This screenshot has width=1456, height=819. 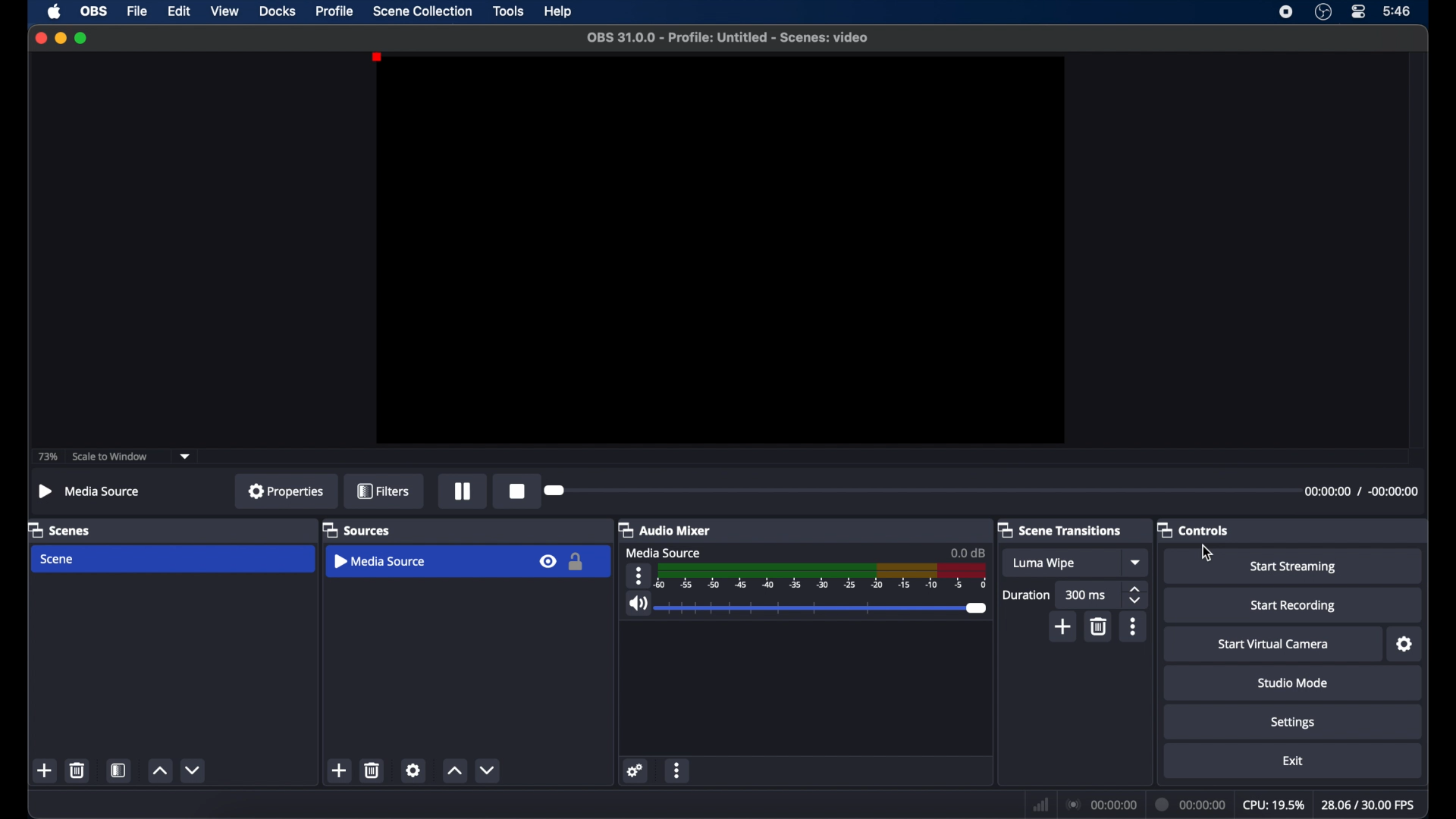 I want to click on delete, so click(x=1097, y=626).